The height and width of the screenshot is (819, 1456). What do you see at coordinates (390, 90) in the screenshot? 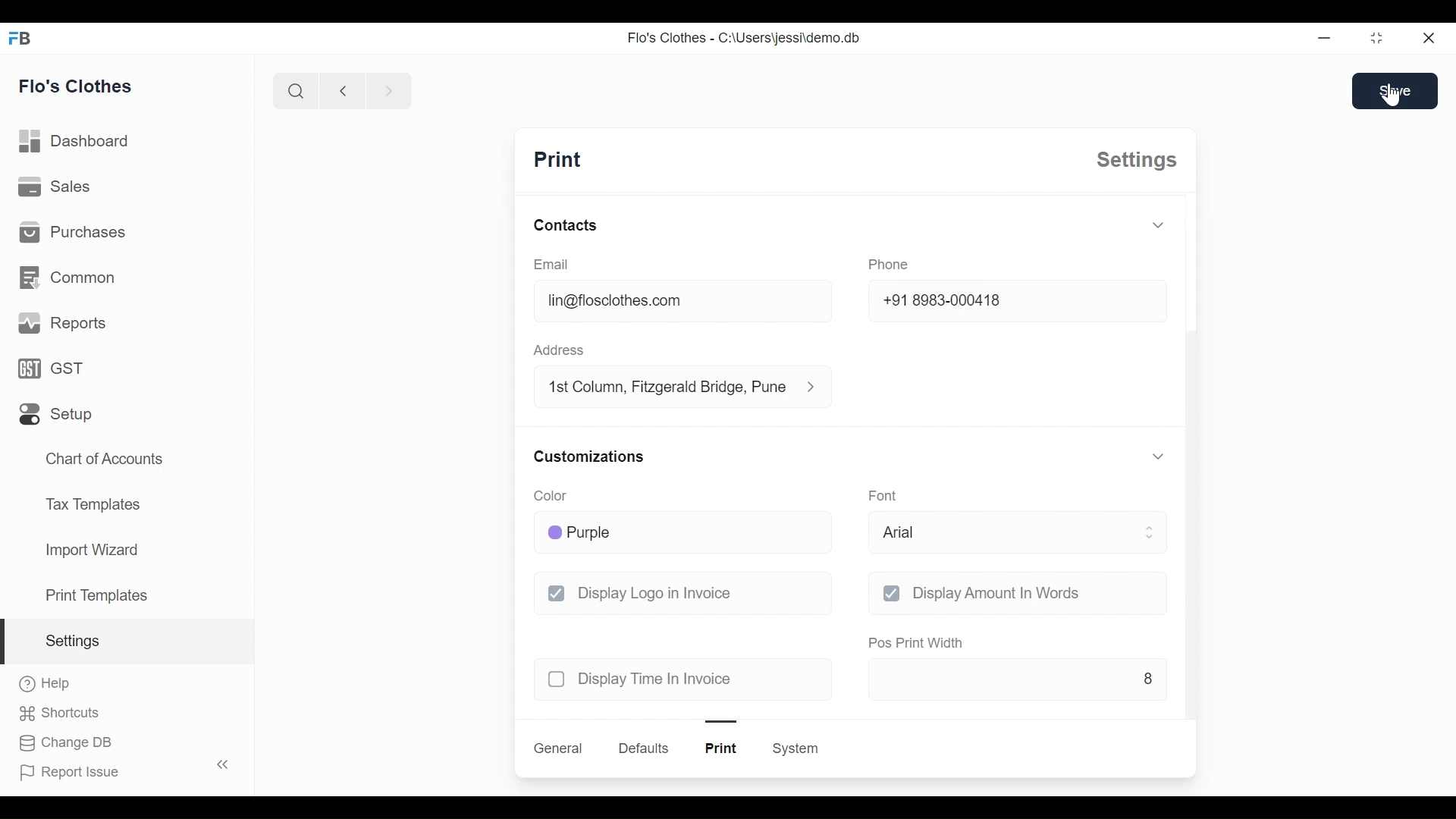
I see `next` at bounding box center [390, 90].